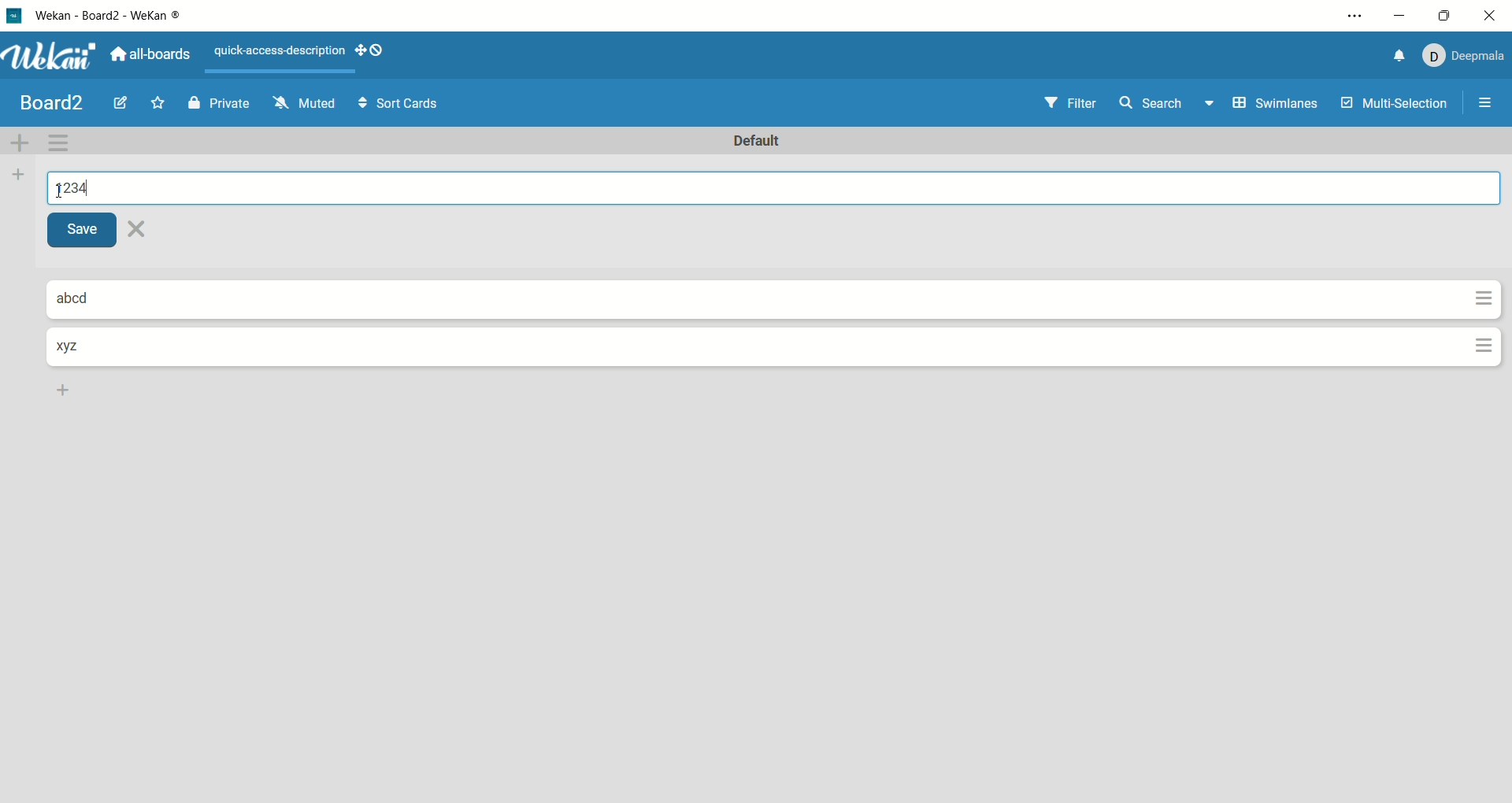 The height and width of the screenshot is (803, 1512). What do you see at coordinates (1479, 326) in the screenshot?
I see `actions` at bounding box center [1479, 326].